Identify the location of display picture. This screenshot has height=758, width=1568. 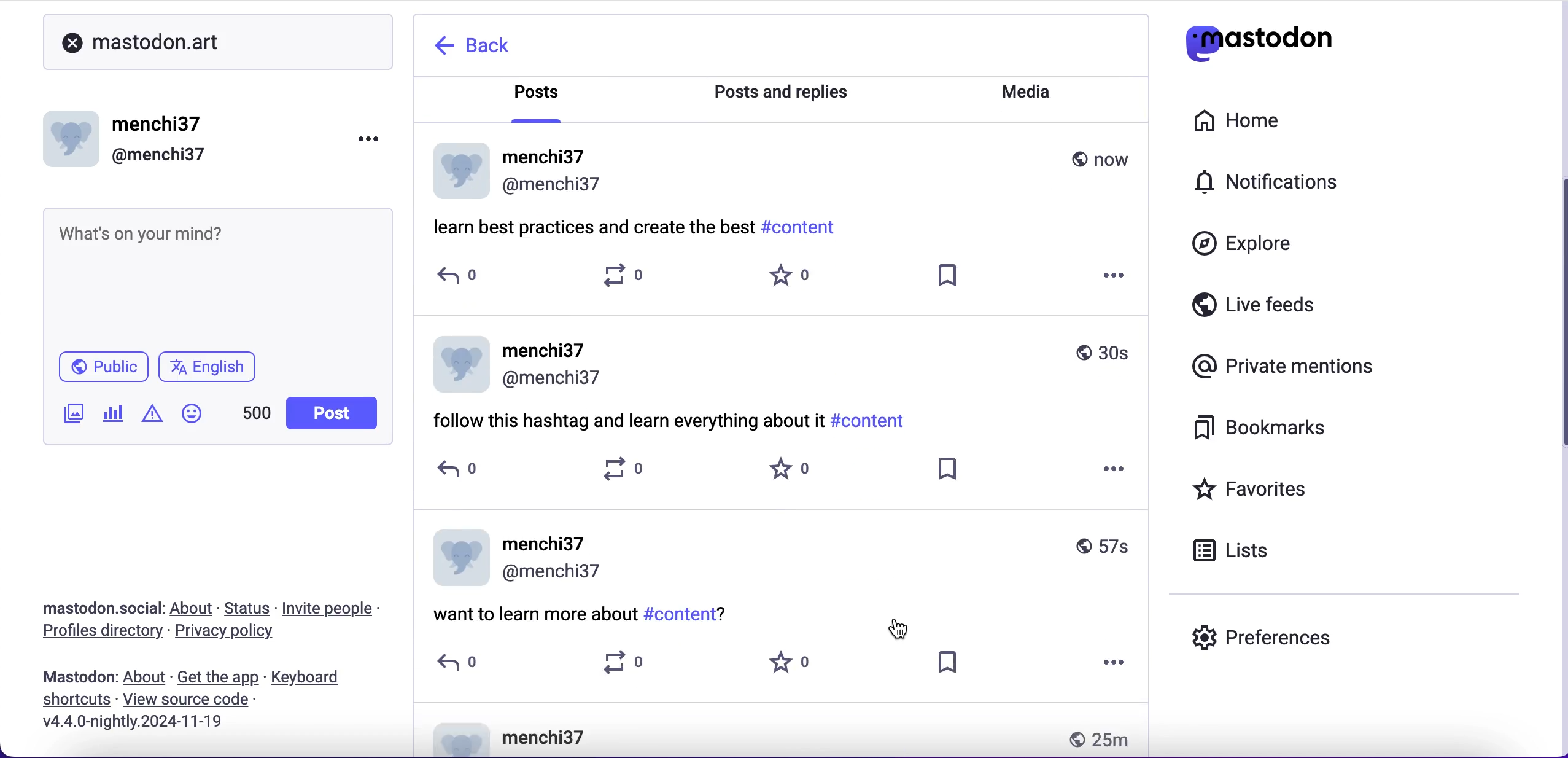
(459, 170).